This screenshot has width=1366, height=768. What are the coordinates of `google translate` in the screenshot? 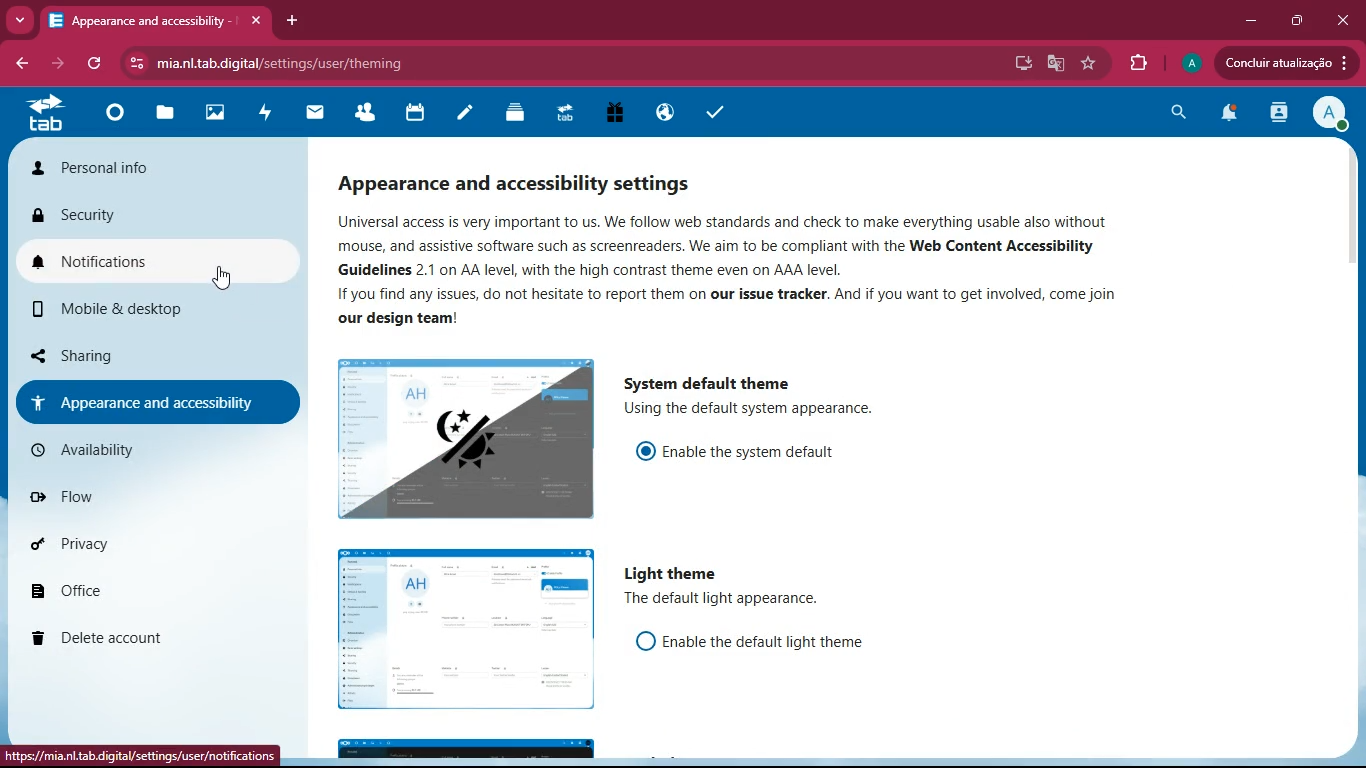 It's located at (1055, 65).